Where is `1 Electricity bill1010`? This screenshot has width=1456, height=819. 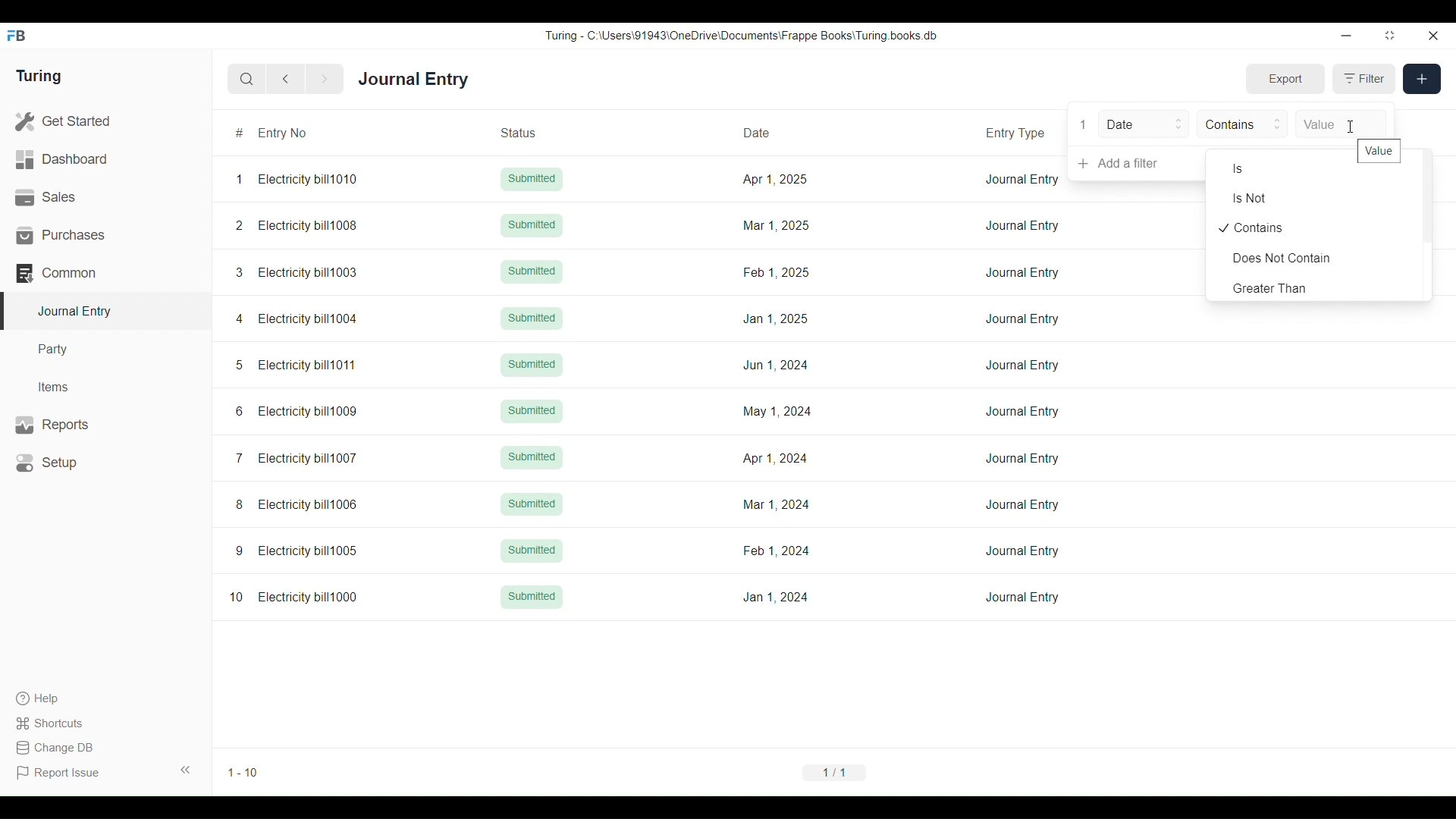 1 Electricity bill1010 is located at coordinates (297, 179).